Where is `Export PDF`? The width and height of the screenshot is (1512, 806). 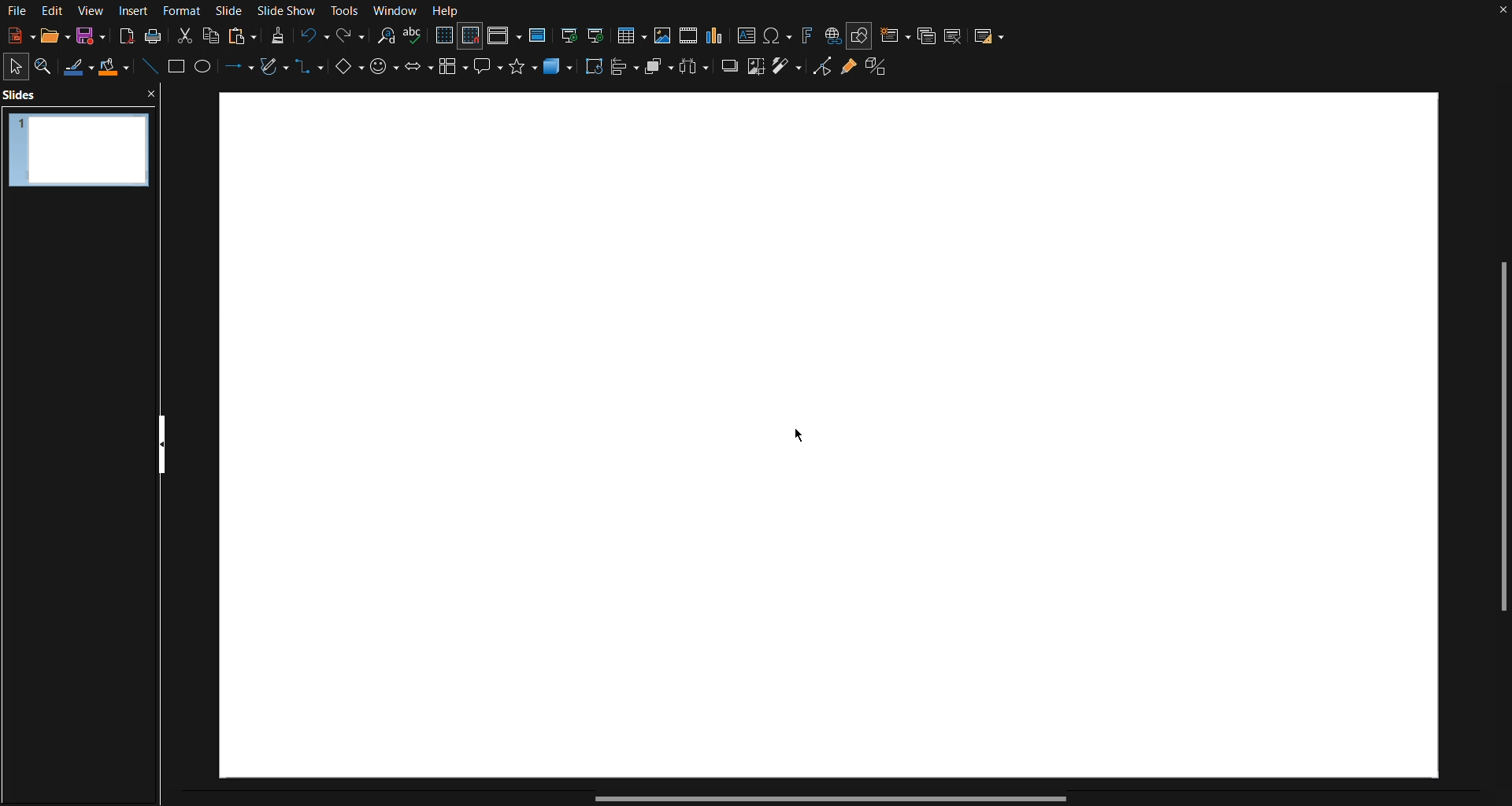 Export PDF is located at coordinates (124, 36).